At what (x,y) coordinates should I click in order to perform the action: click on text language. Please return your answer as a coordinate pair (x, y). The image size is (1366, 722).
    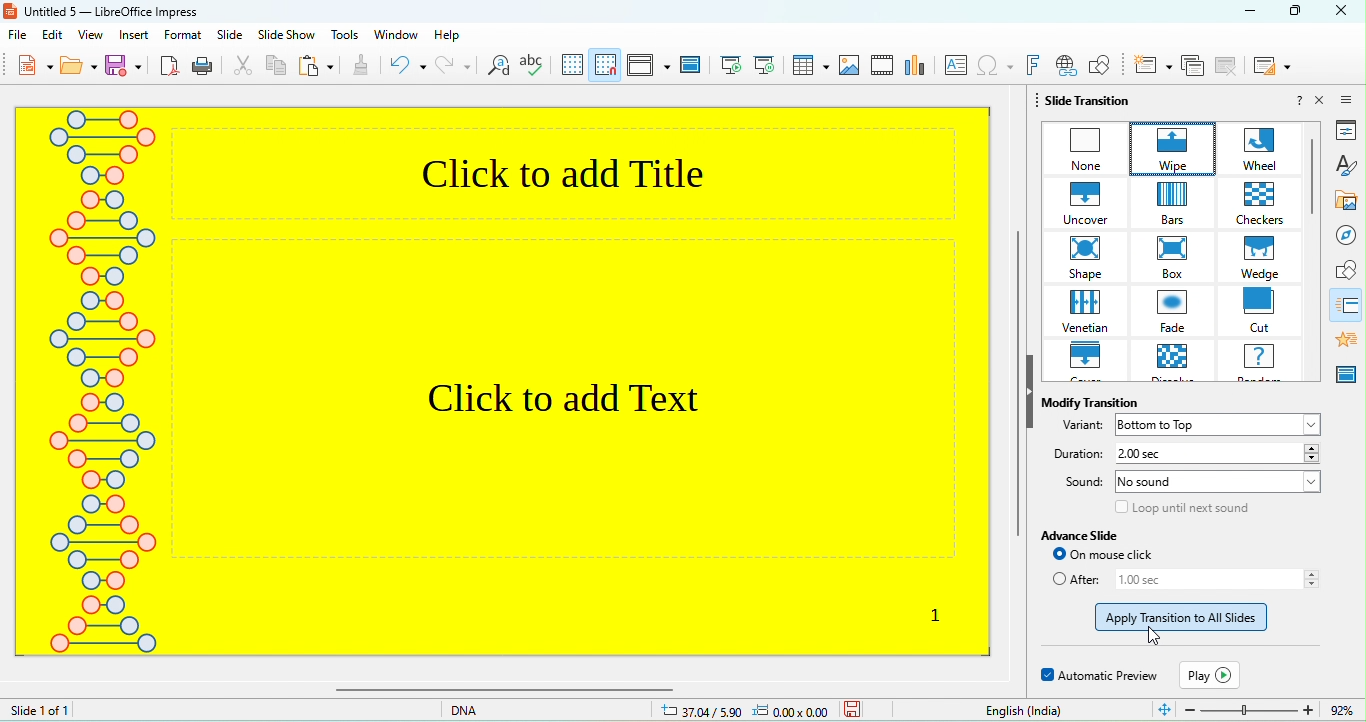
    Looking at the image, I should click on (1021, 710).